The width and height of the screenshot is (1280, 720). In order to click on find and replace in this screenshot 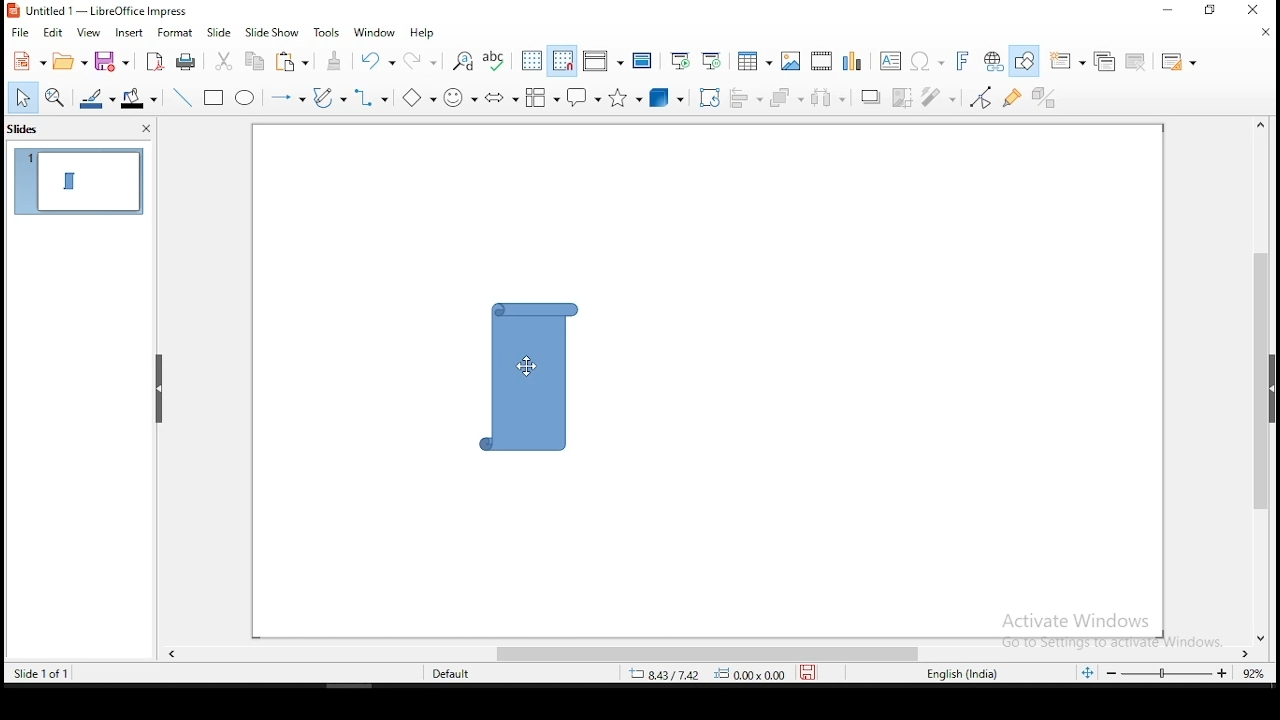, I will do `click(464, 61)`.